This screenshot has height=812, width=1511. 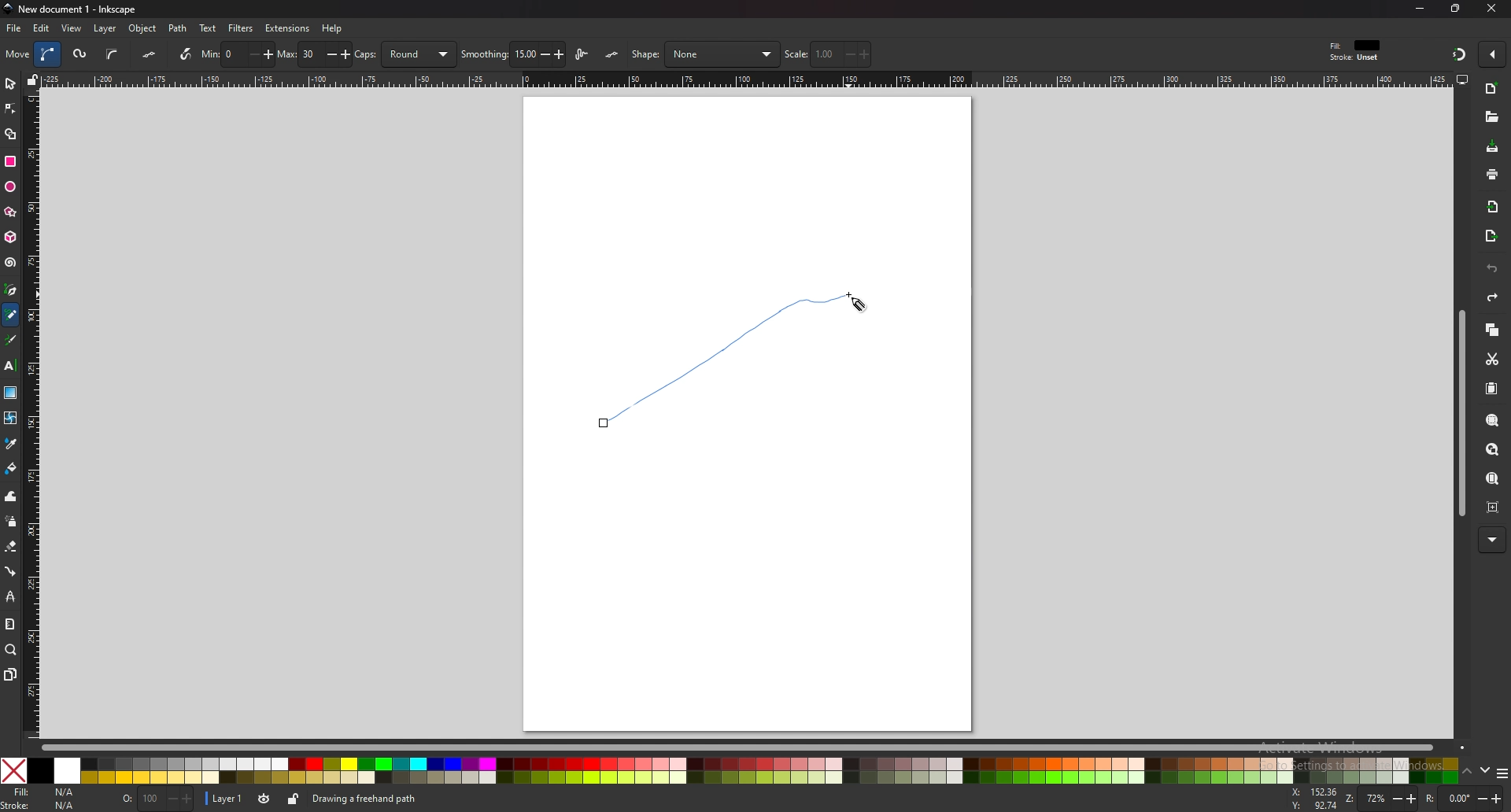 I want to click on max, so click(x=314, y=53).